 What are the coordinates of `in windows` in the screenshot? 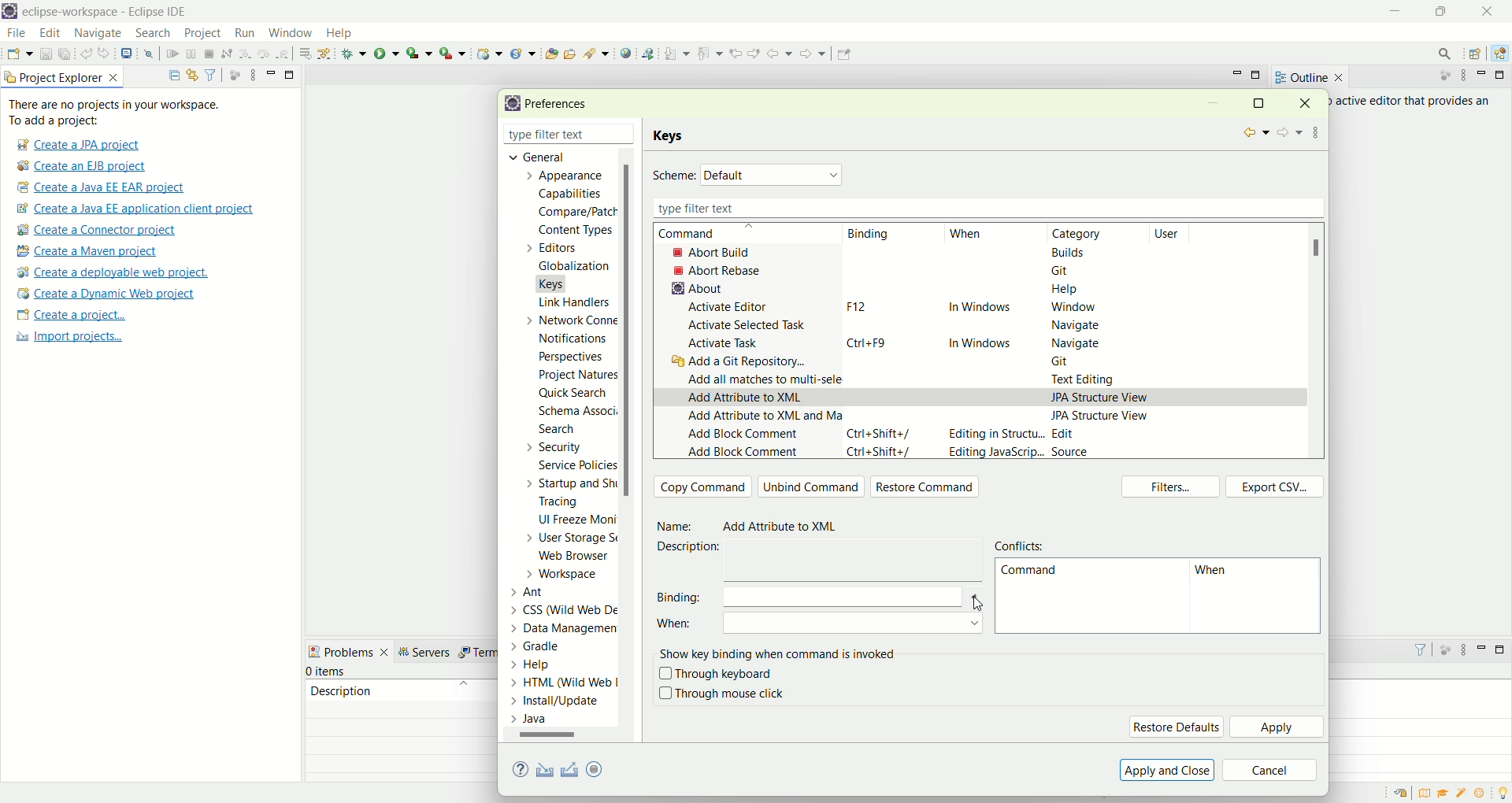 It's located at (982, 340).